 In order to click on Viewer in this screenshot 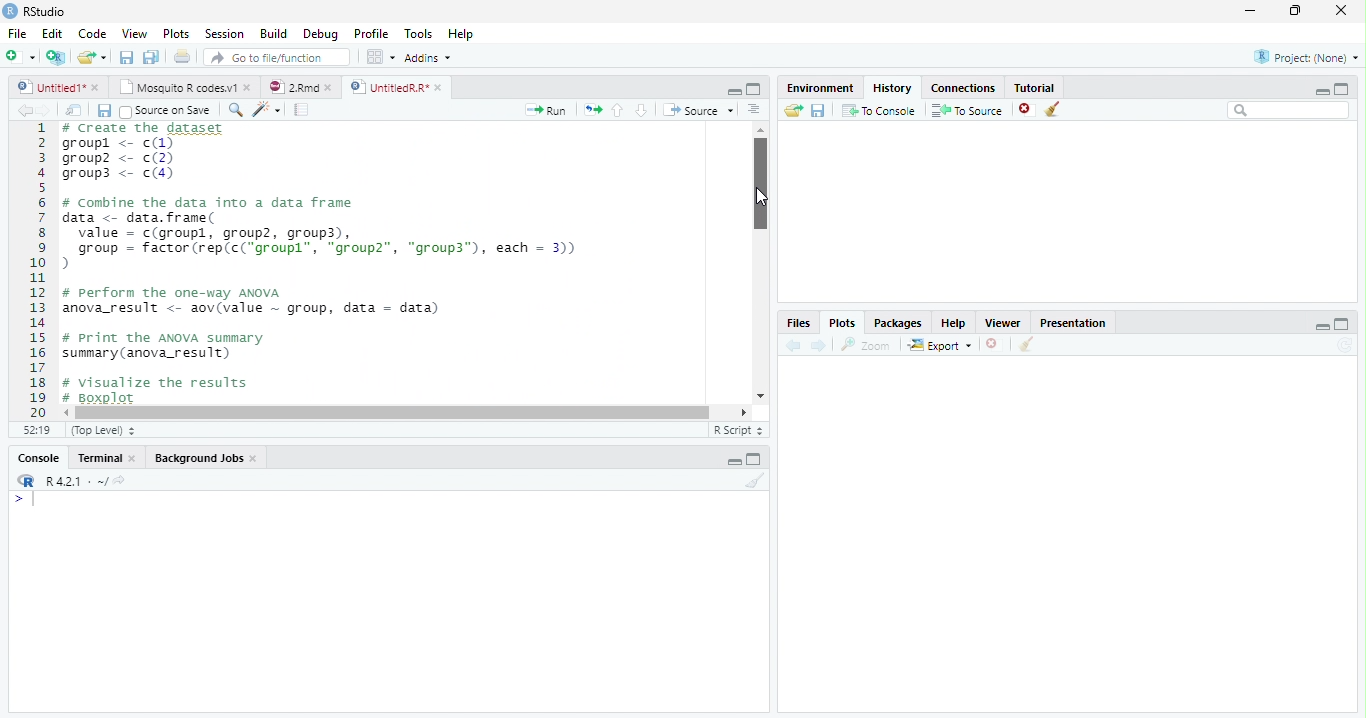, I will do `click(1005, 322)`.